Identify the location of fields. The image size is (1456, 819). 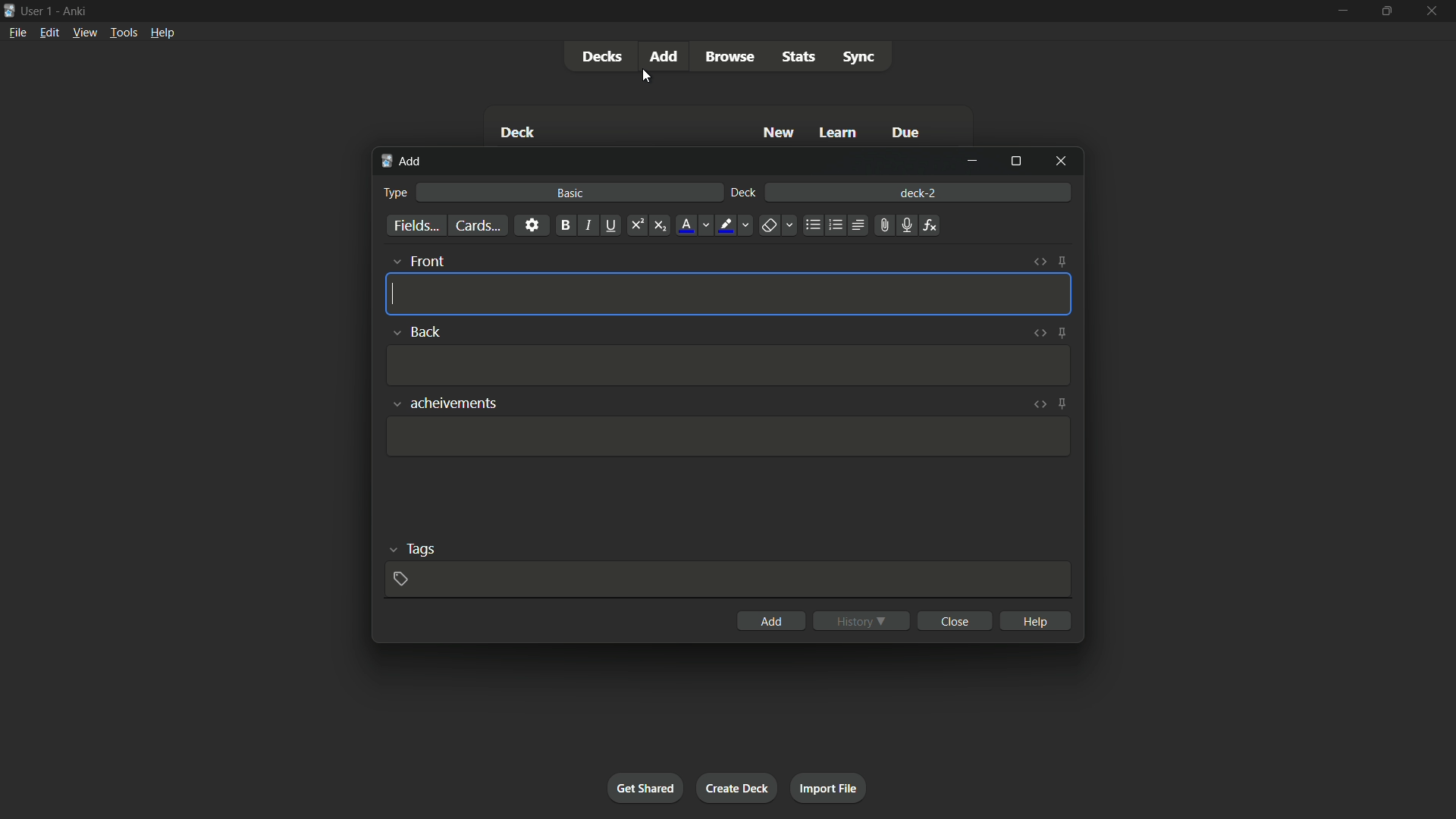
(415, 226).